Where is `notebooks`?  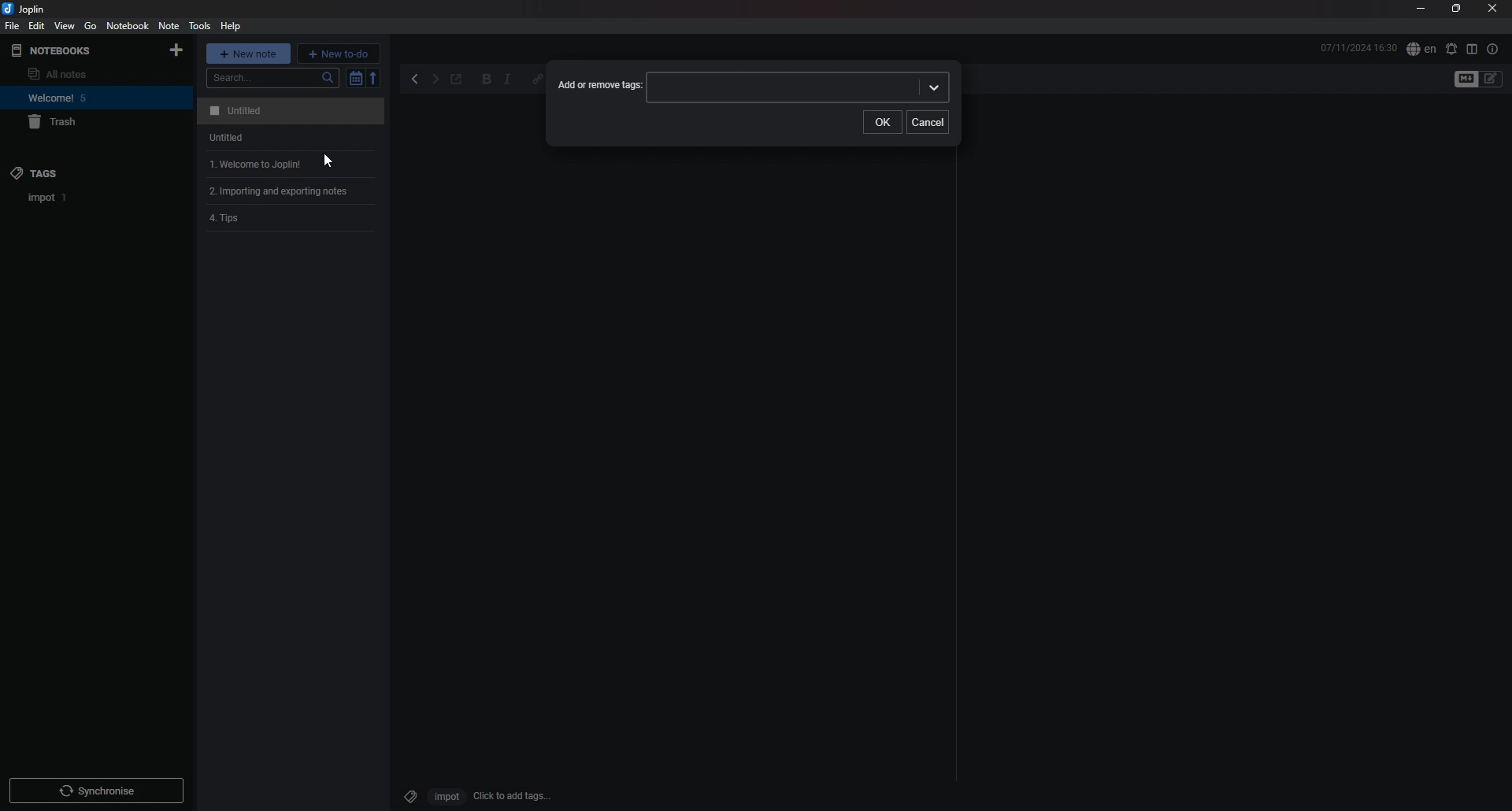
notebooks is located at coordinates (74, 51).